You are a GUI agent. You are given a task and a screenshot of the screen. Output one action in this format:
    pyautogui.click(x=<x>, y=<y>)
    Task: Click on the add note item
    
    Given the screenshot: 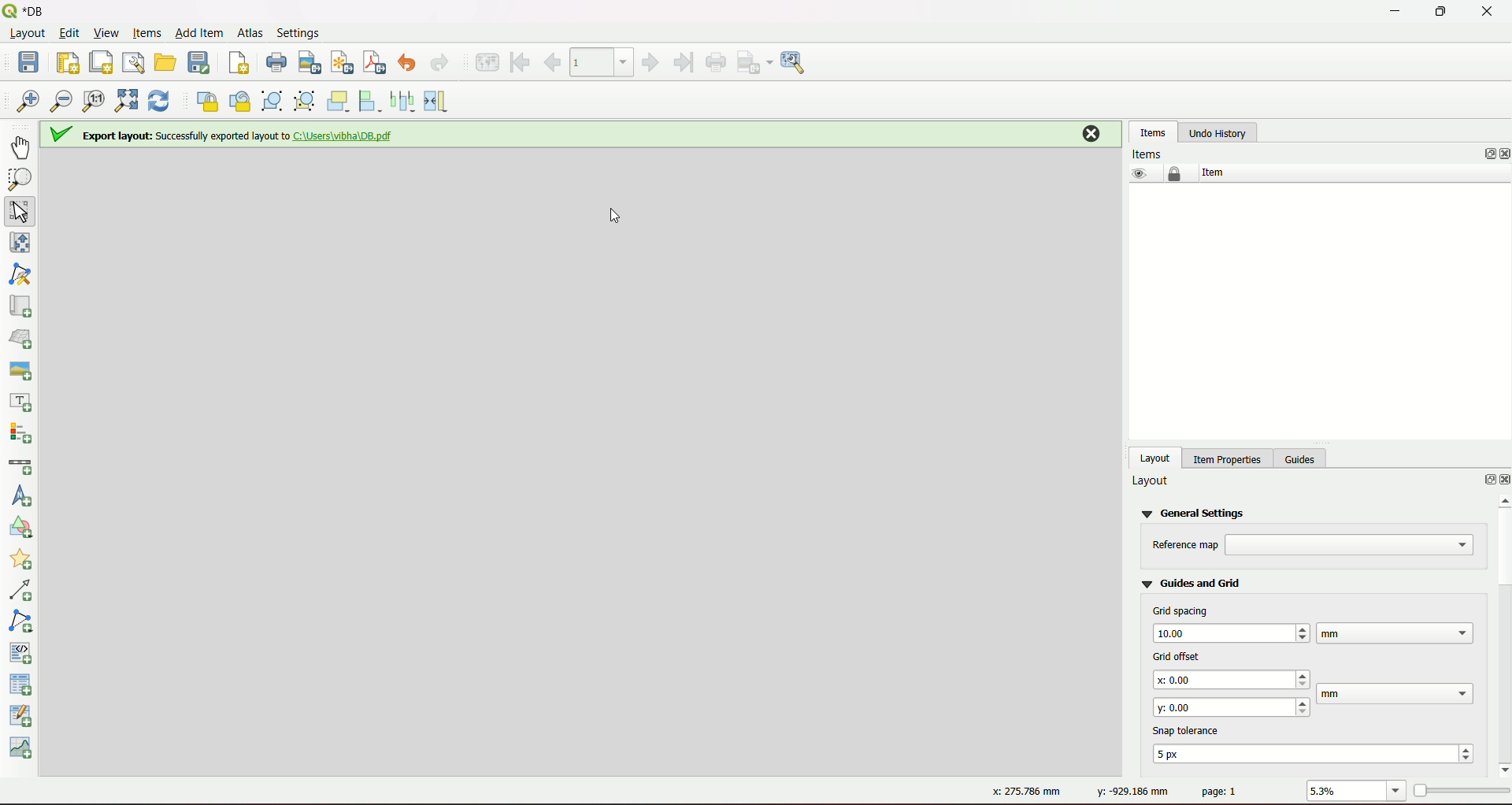 What is the action you would take?
    pyautogui.click(x=23, y=620)
    